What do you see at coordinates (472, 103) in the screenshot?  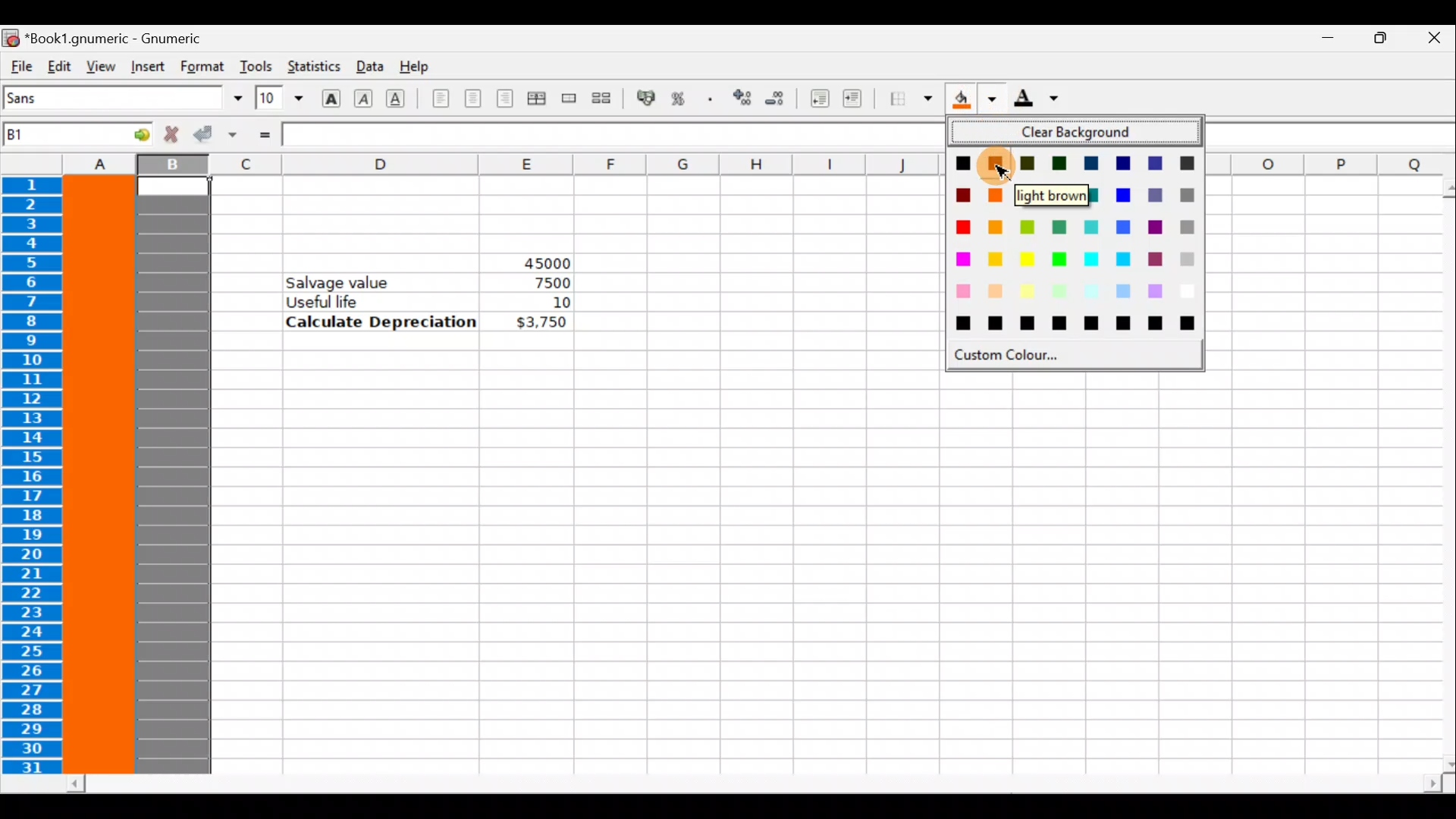 I see `Centre horizontally` at bounding box center [472, 103].